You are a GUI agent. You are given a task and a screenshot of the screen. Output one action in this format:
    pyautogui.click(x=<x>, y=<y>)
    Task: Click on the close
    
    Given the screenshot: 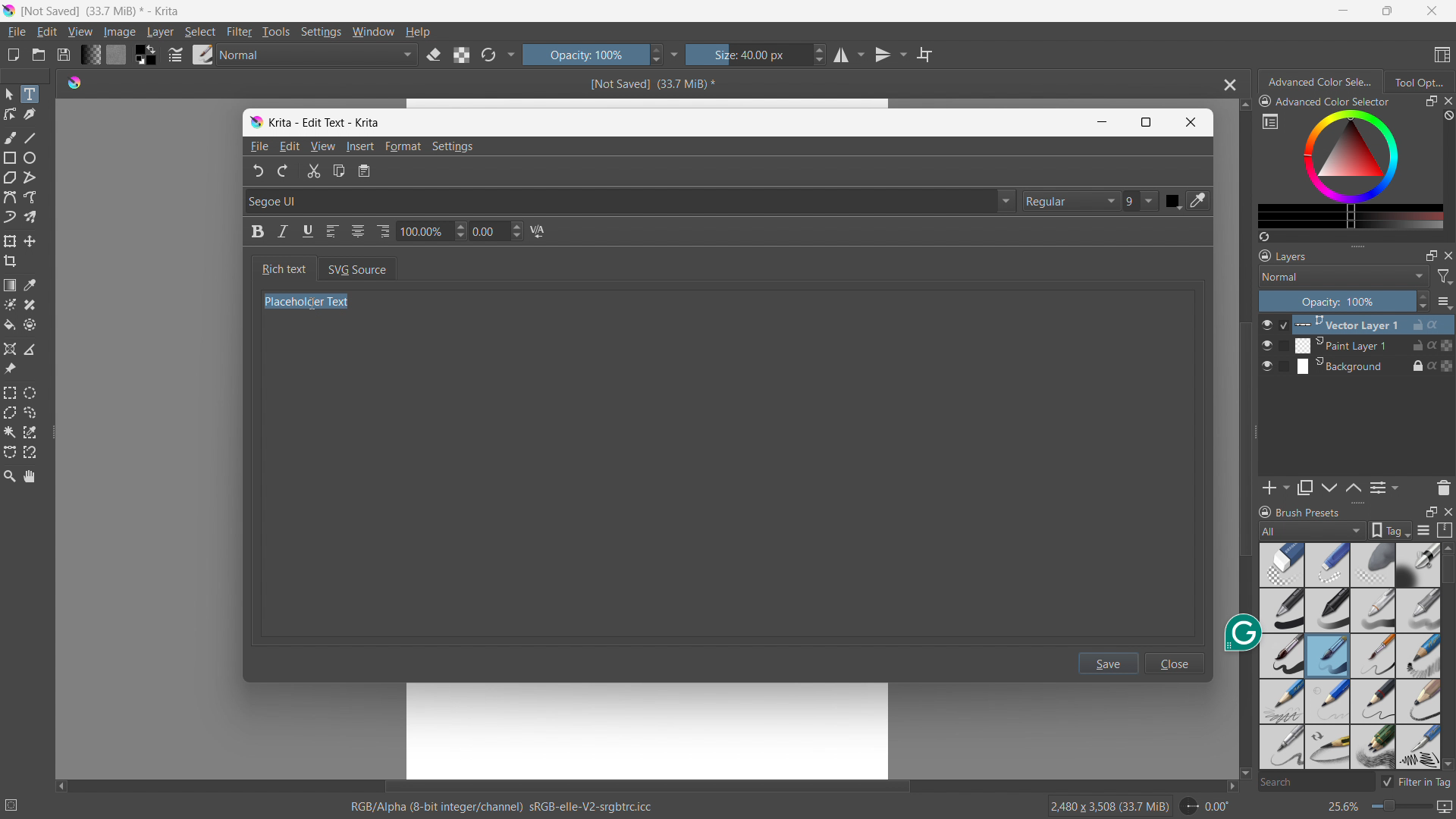 What is the action you would take?
    pyautogui.click(x=1447, y=510)
    